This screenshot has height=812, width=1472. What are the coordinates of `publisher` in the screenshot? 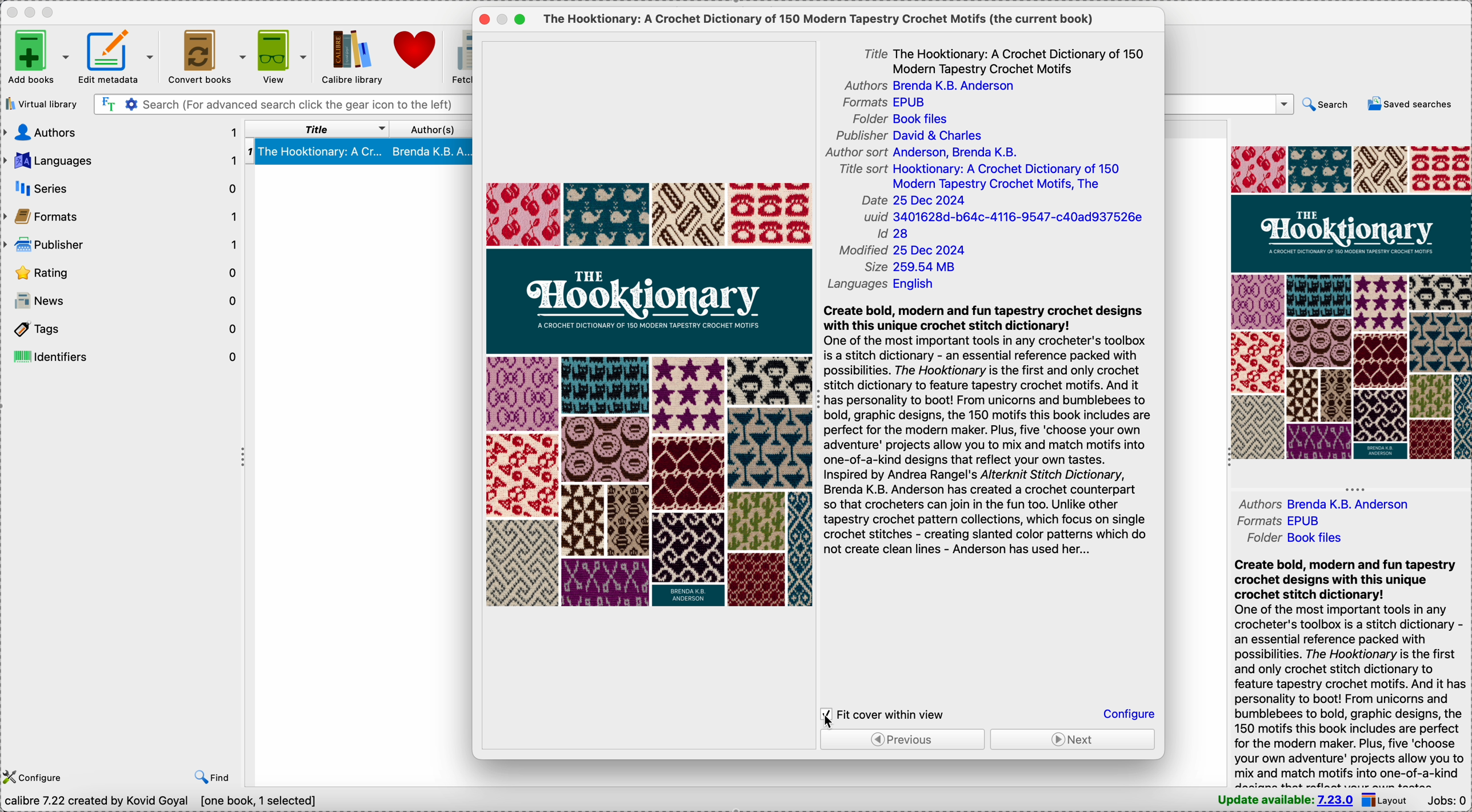 It's located at (907, 135).